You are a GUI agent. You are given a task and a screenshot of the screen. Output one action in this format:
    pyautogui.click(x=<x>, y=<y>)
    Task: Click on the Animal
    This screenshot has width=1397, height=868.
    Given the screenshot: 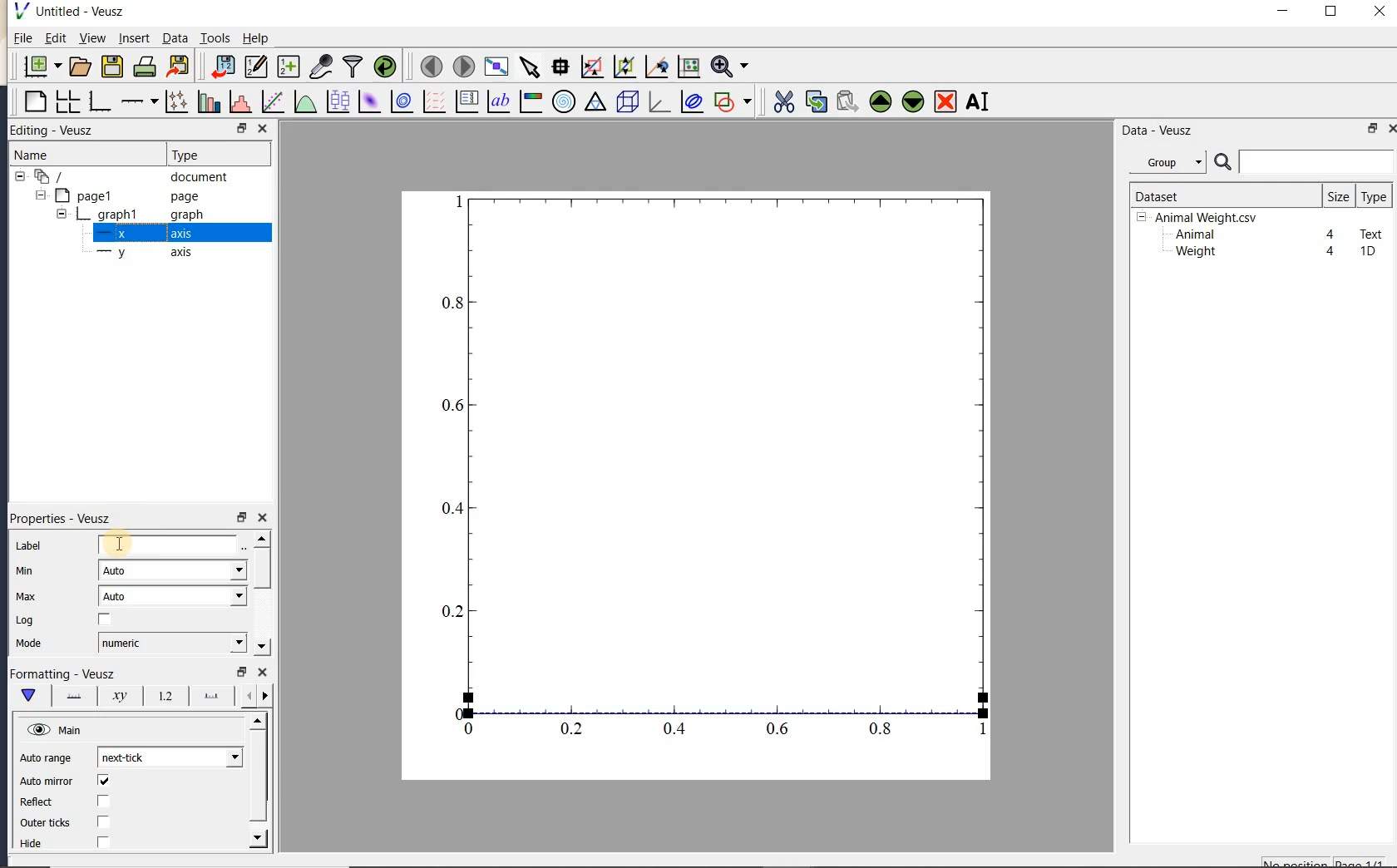 What is the action you would take?
    pyautogui.click(x=1193, y=235)
    